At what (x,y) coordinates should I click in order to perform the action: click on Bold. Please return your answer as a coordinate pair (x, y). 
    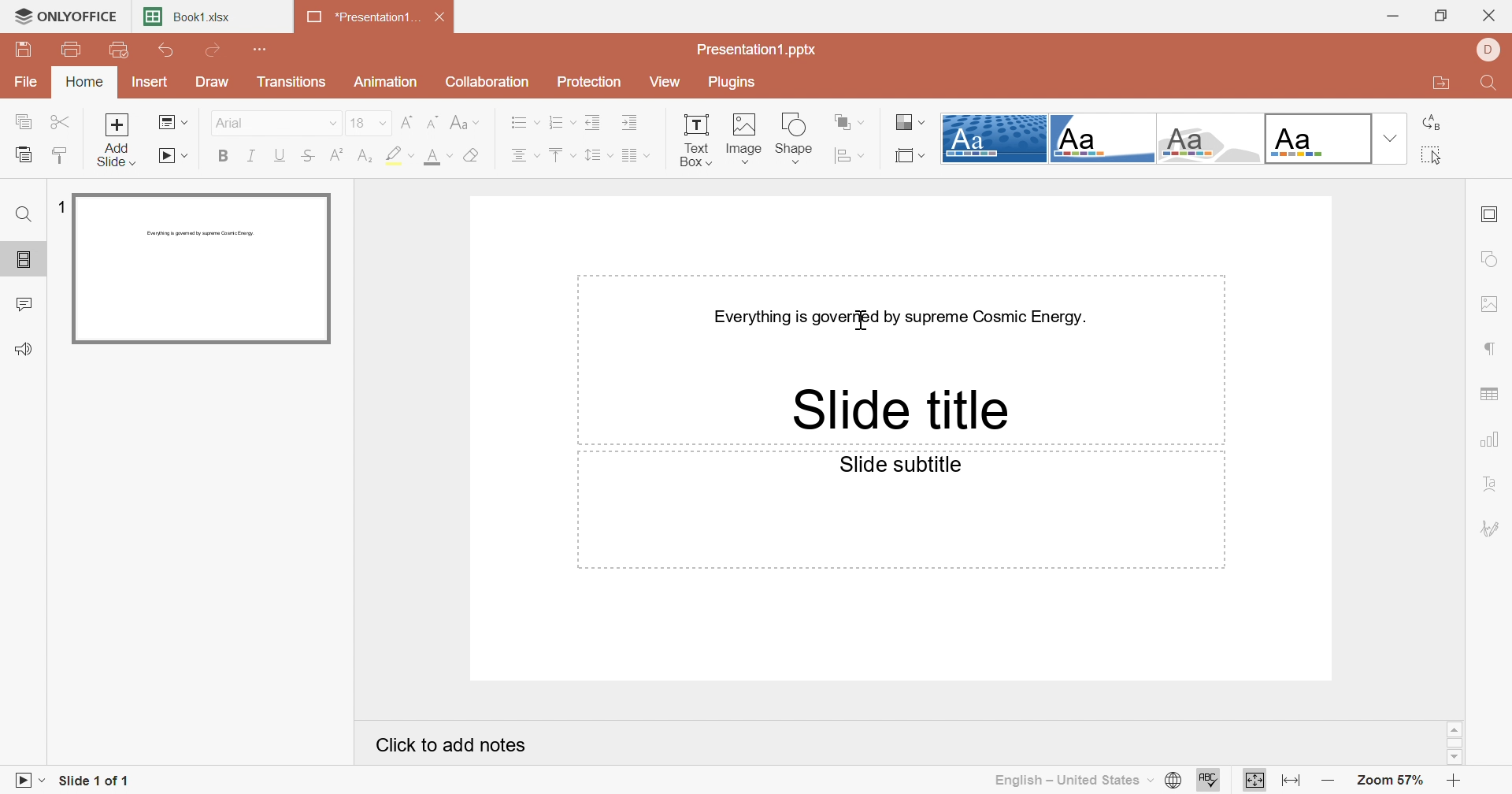
    Looking at the image, I should click on (222, 157).